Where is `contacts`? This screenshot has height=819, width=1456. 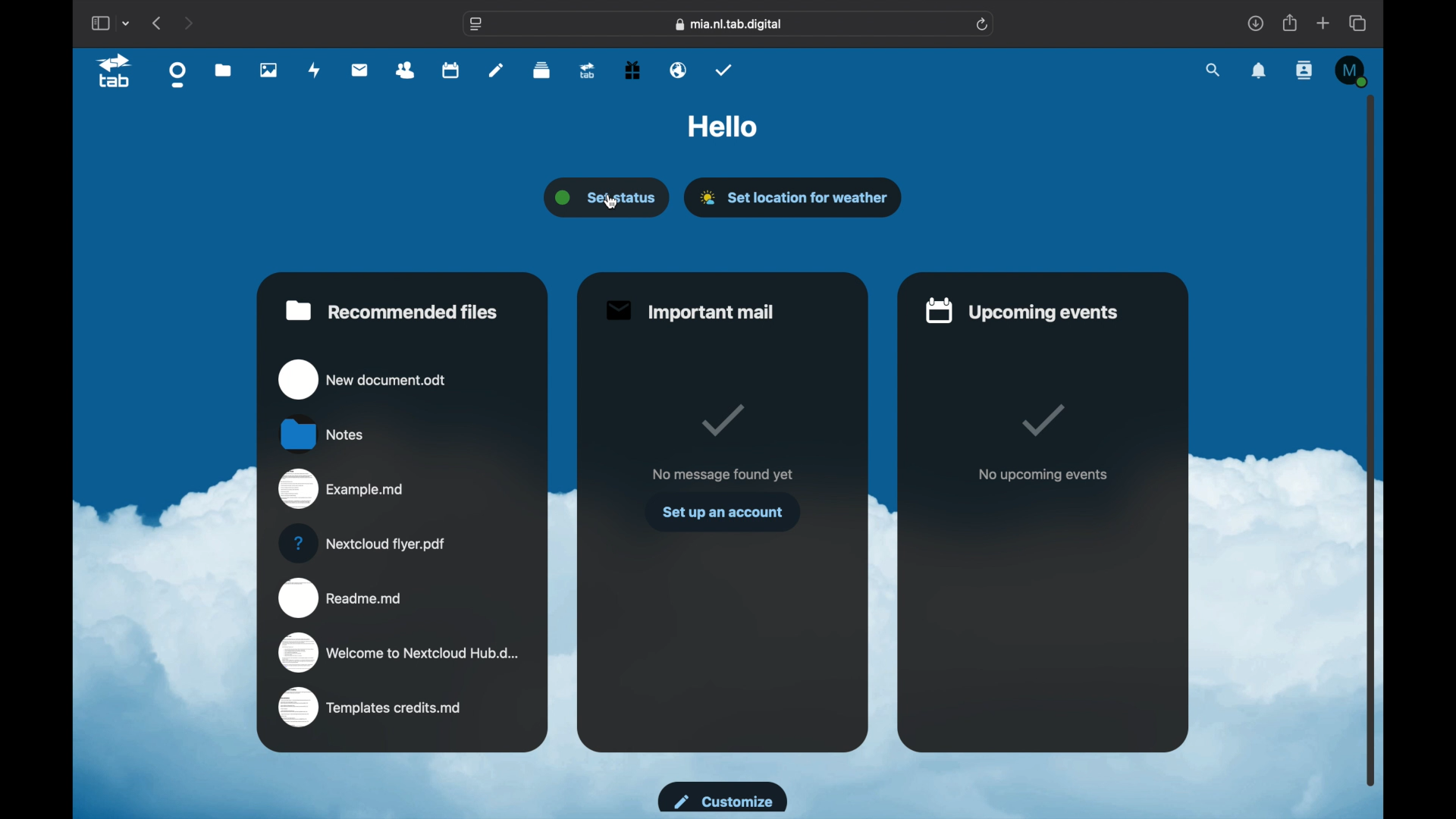 contacts is located at coordinates (1305, 70).